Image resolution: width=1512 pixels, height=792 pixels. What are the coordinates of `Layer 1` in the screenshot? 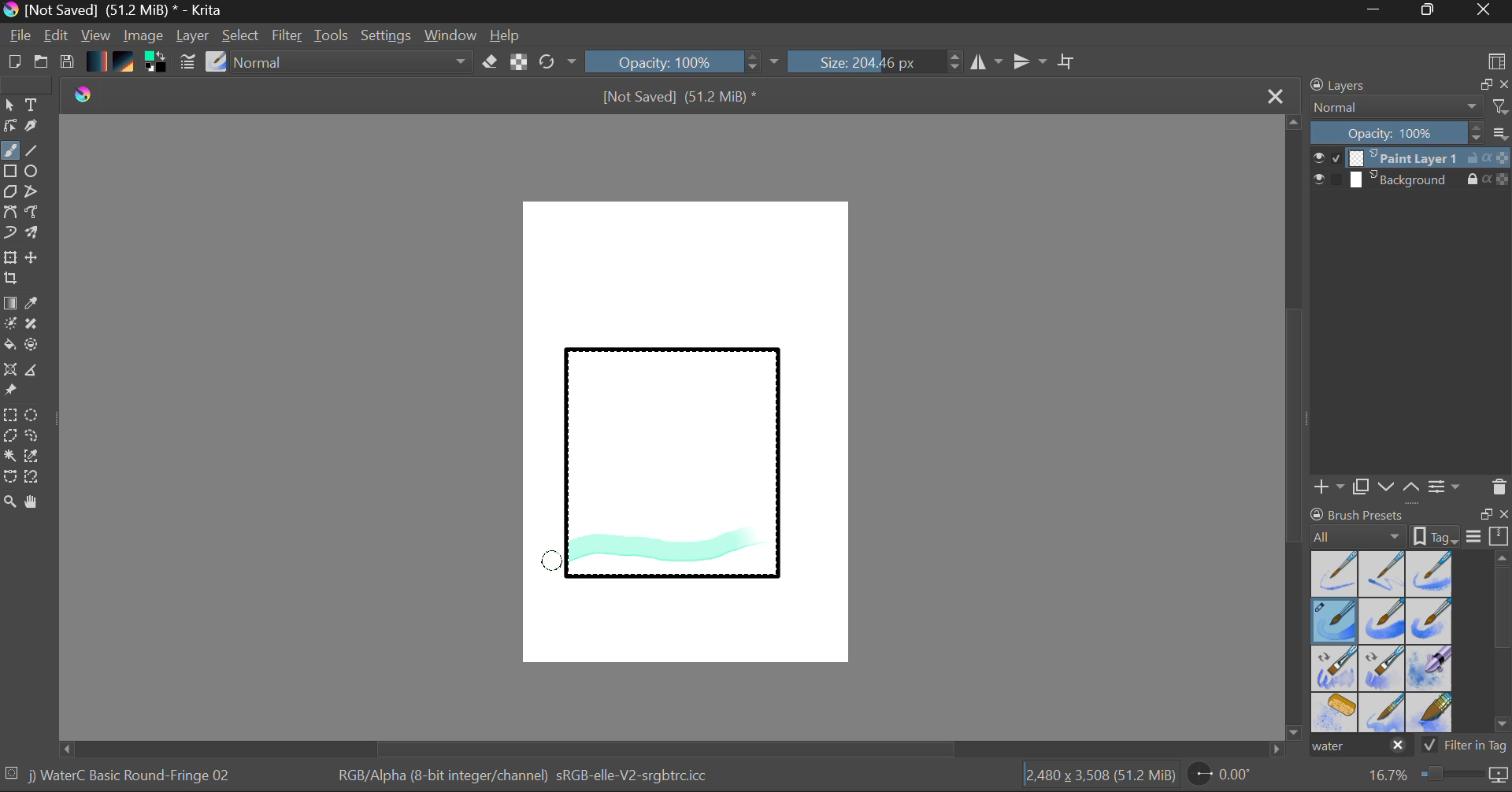 It's located at (1412, 160).